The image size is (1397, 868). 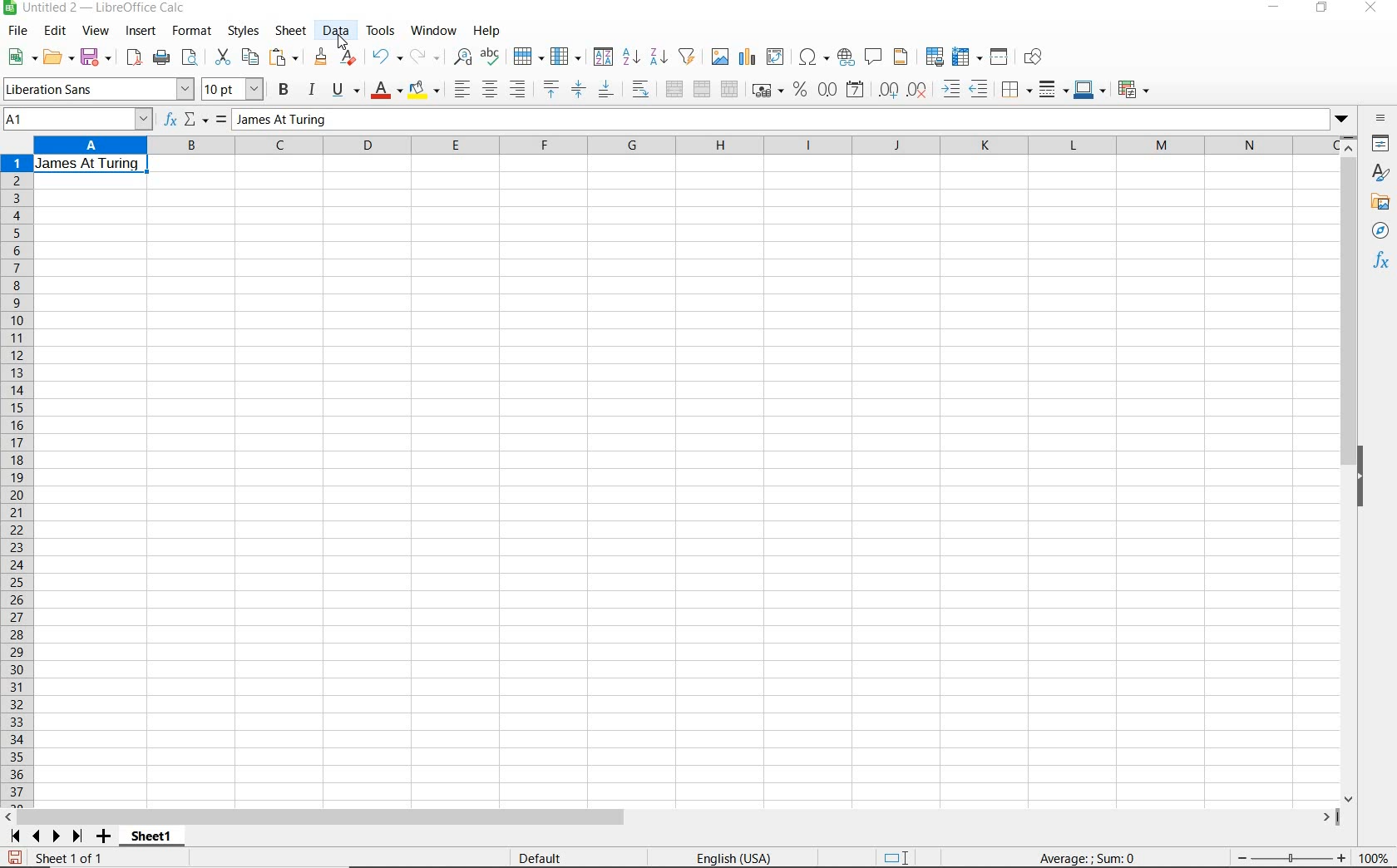 What do you see at coordinates (1090, 89) in the screenshot?
I see `border color` at bounding box center [1090, 89].